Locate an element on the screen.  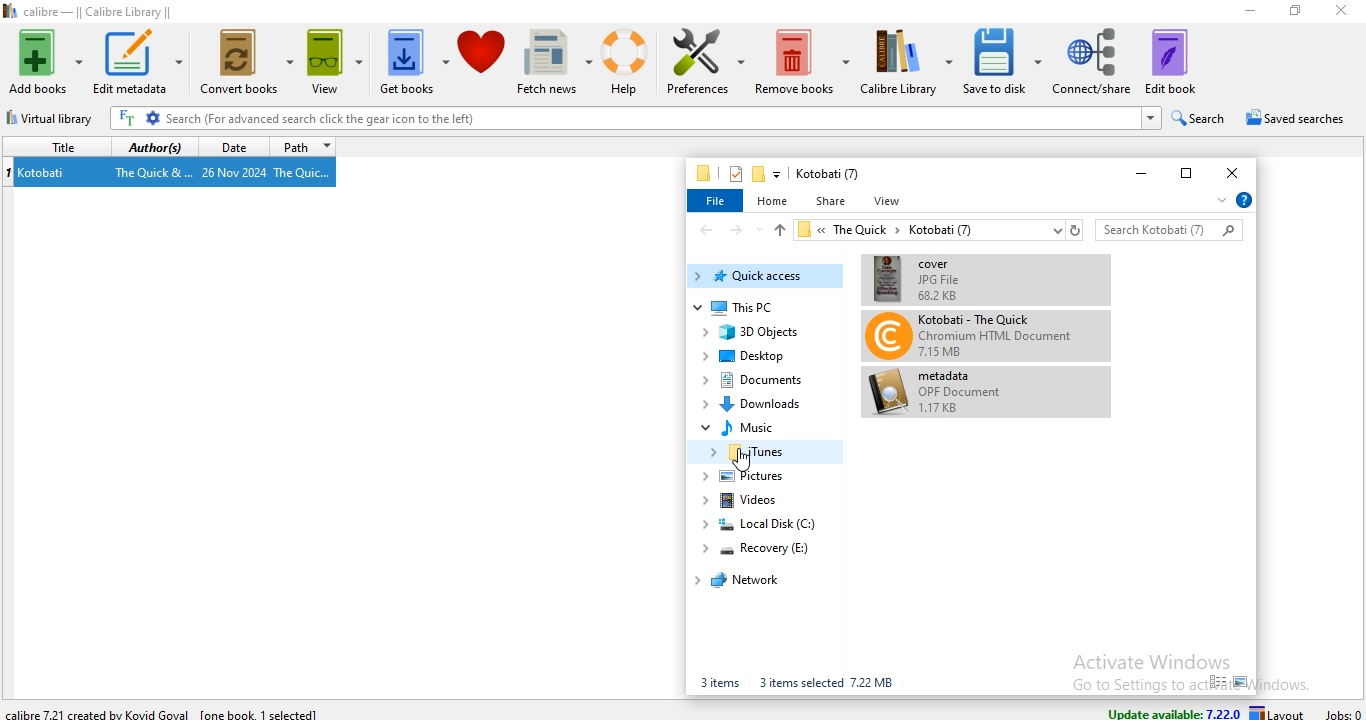
The Quick &... is located at coordinates (151, 171).